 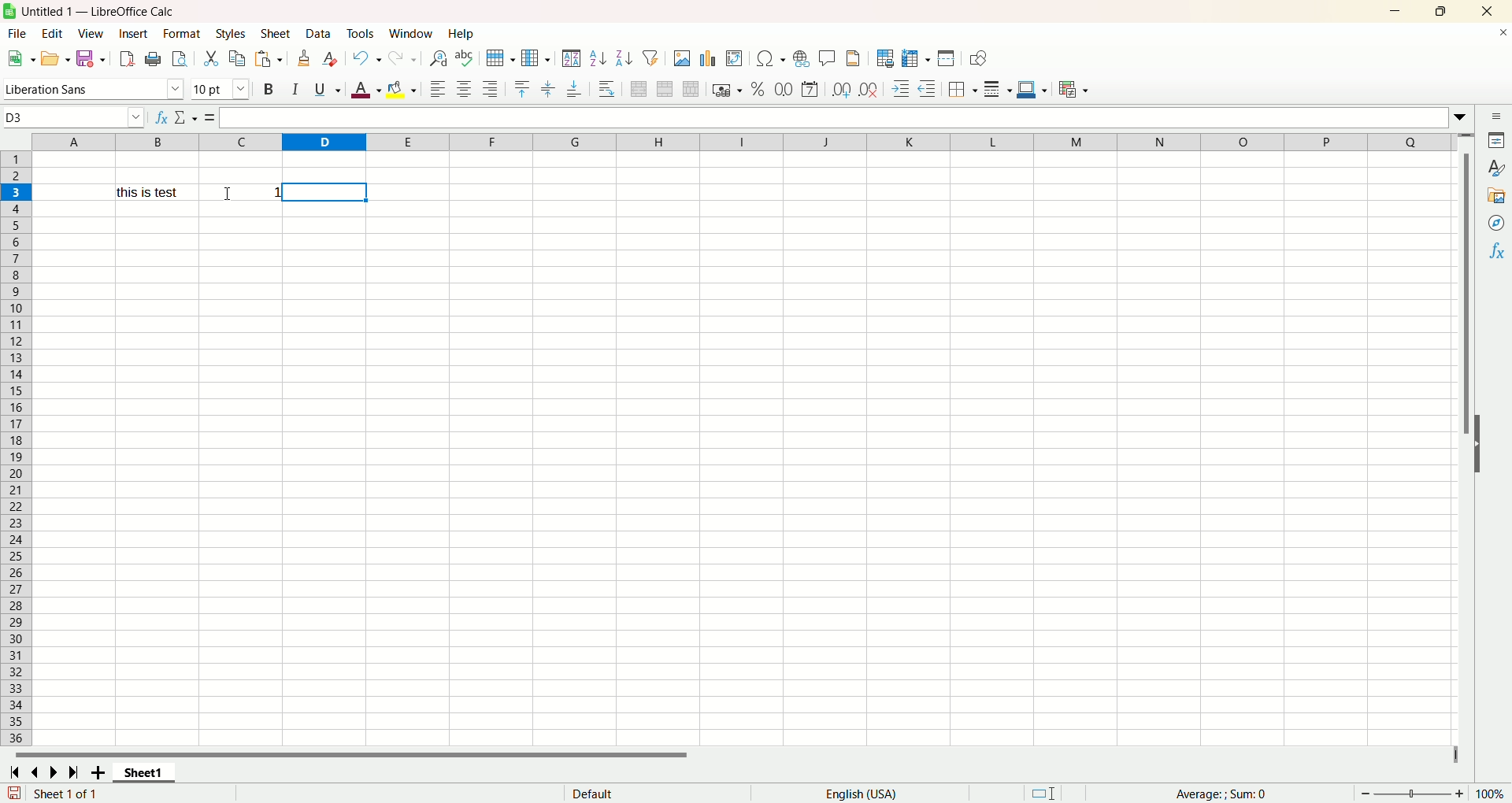 I want to click on column, so click(x=535, y=57).